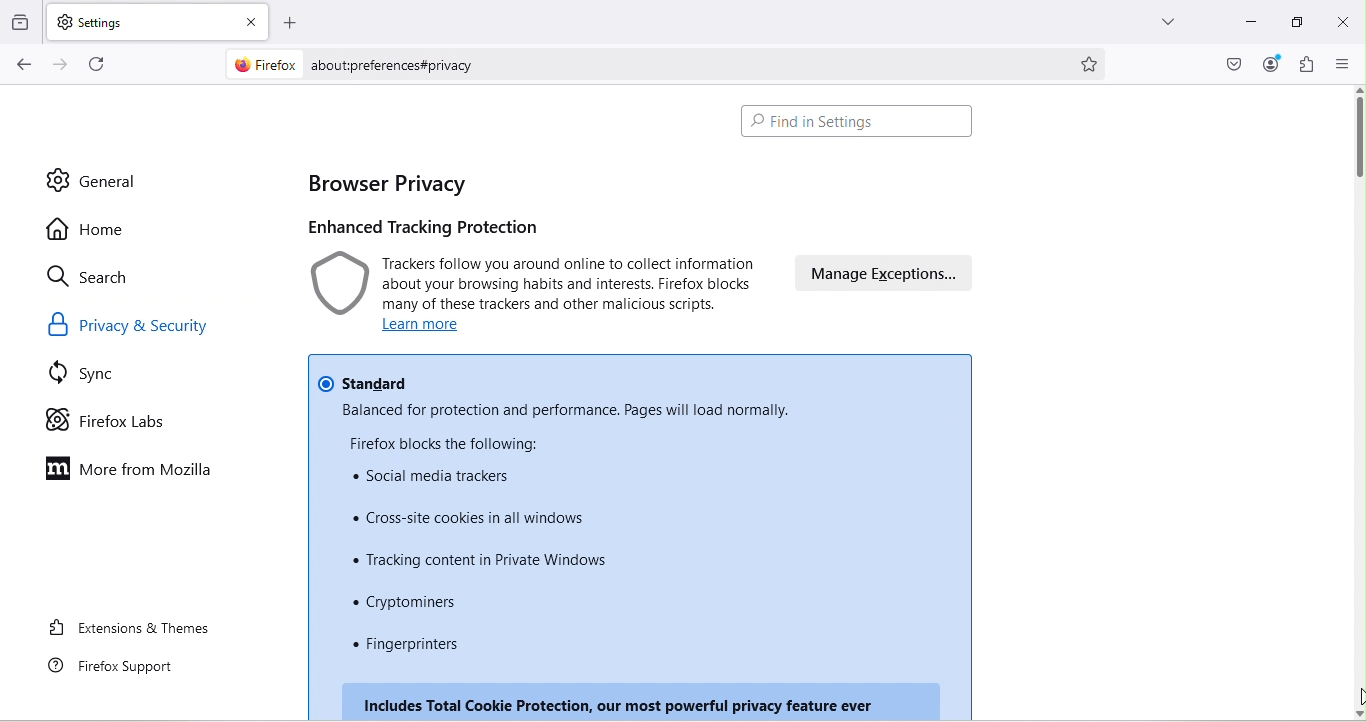 Image resolution: width=1366 pixels, height=722 pixels. Describe the element at coordinates (1346, 26) in the screenshot. I see `close` at that location.